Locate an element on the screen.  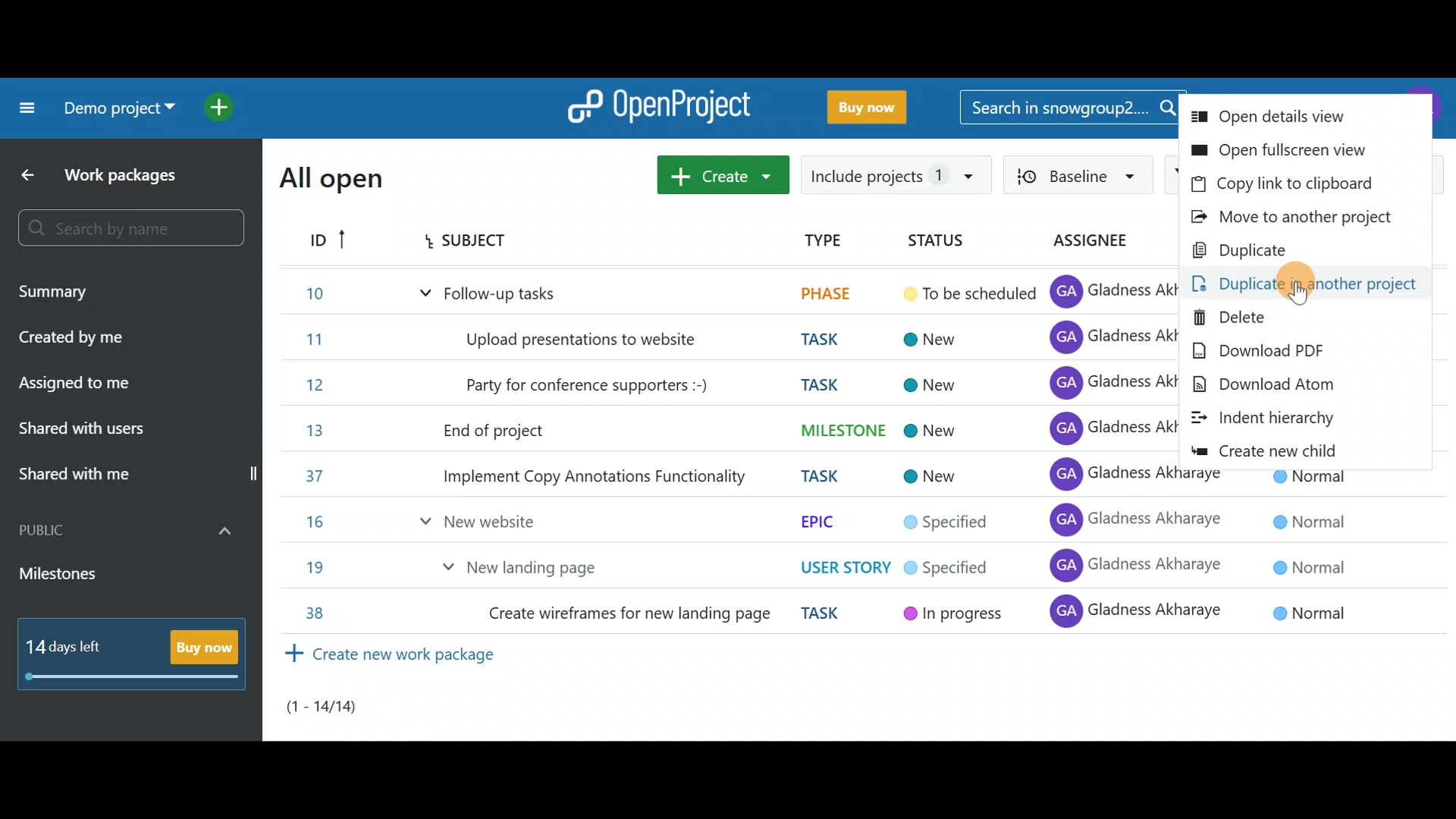
Baseline is located at coordinates (1075, 173).